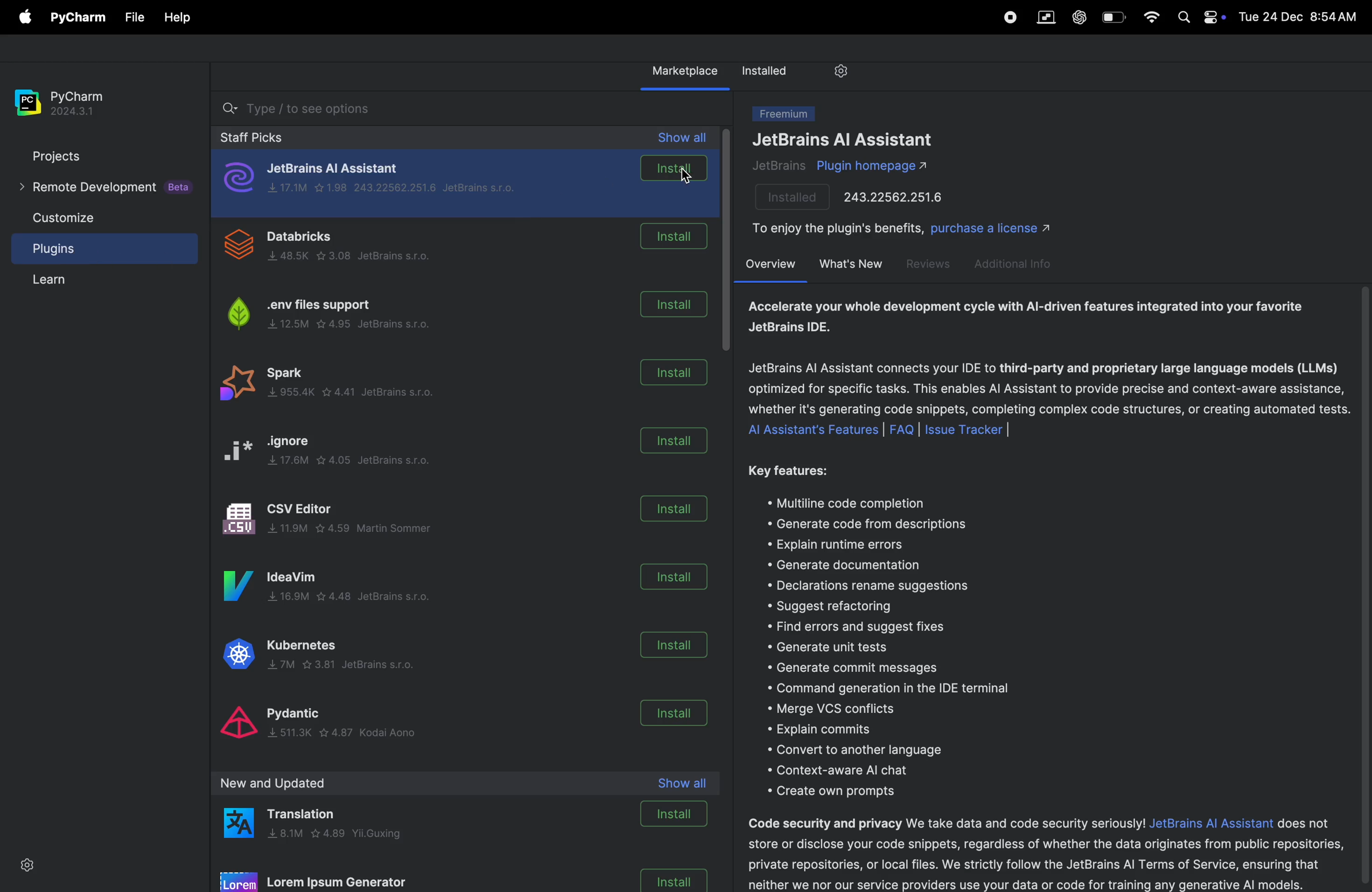 This screenshot has width=1372, height=892. What do you see at coordinates (85, 157) in the screenshot?
I see `projects` at bounding box center [85, 157].